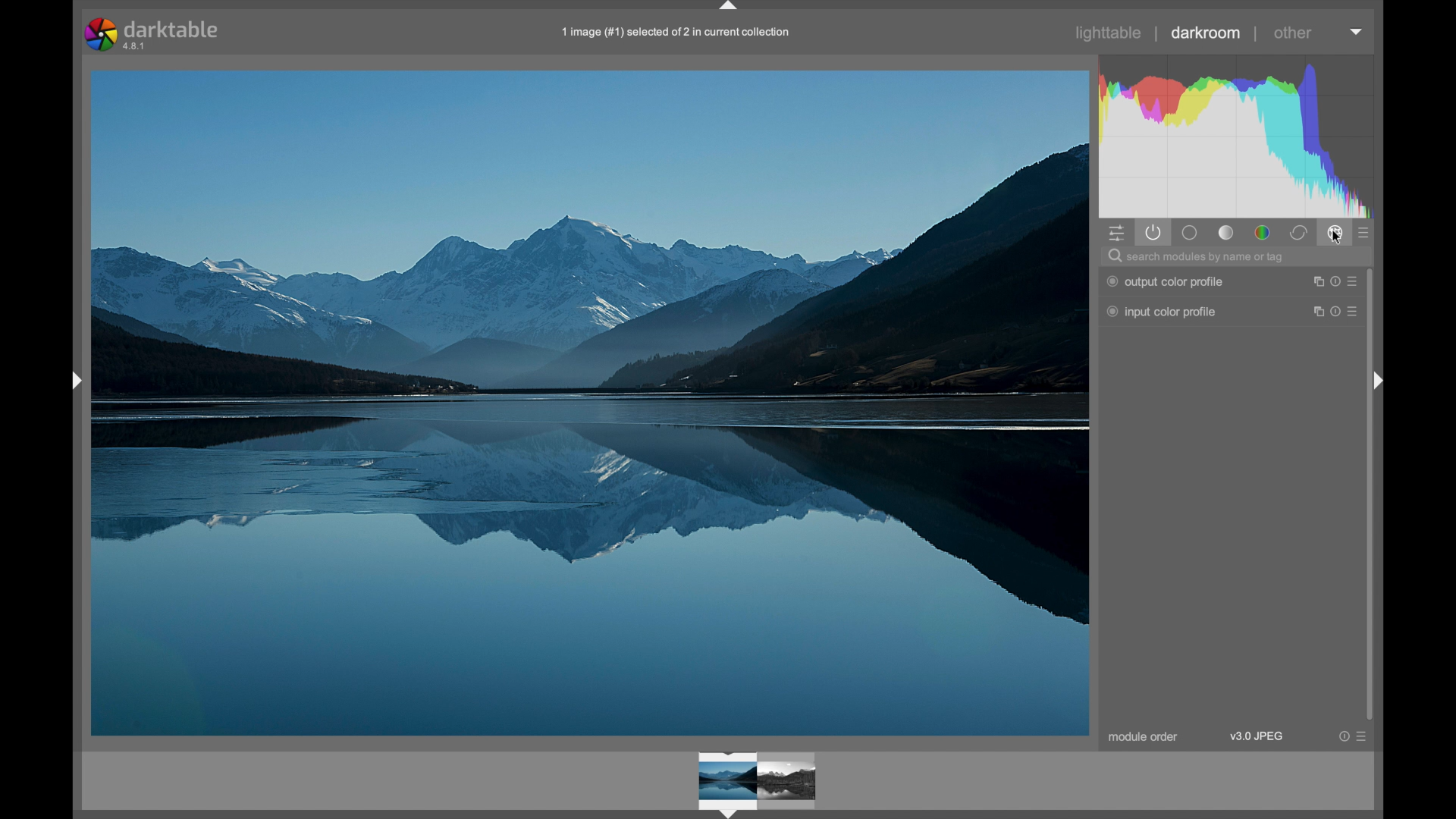 The height and width of the screenshot is (819, 1456). Describe the element at coordinates (1242, 134) in the screenshot. I see `histogram` at that location.